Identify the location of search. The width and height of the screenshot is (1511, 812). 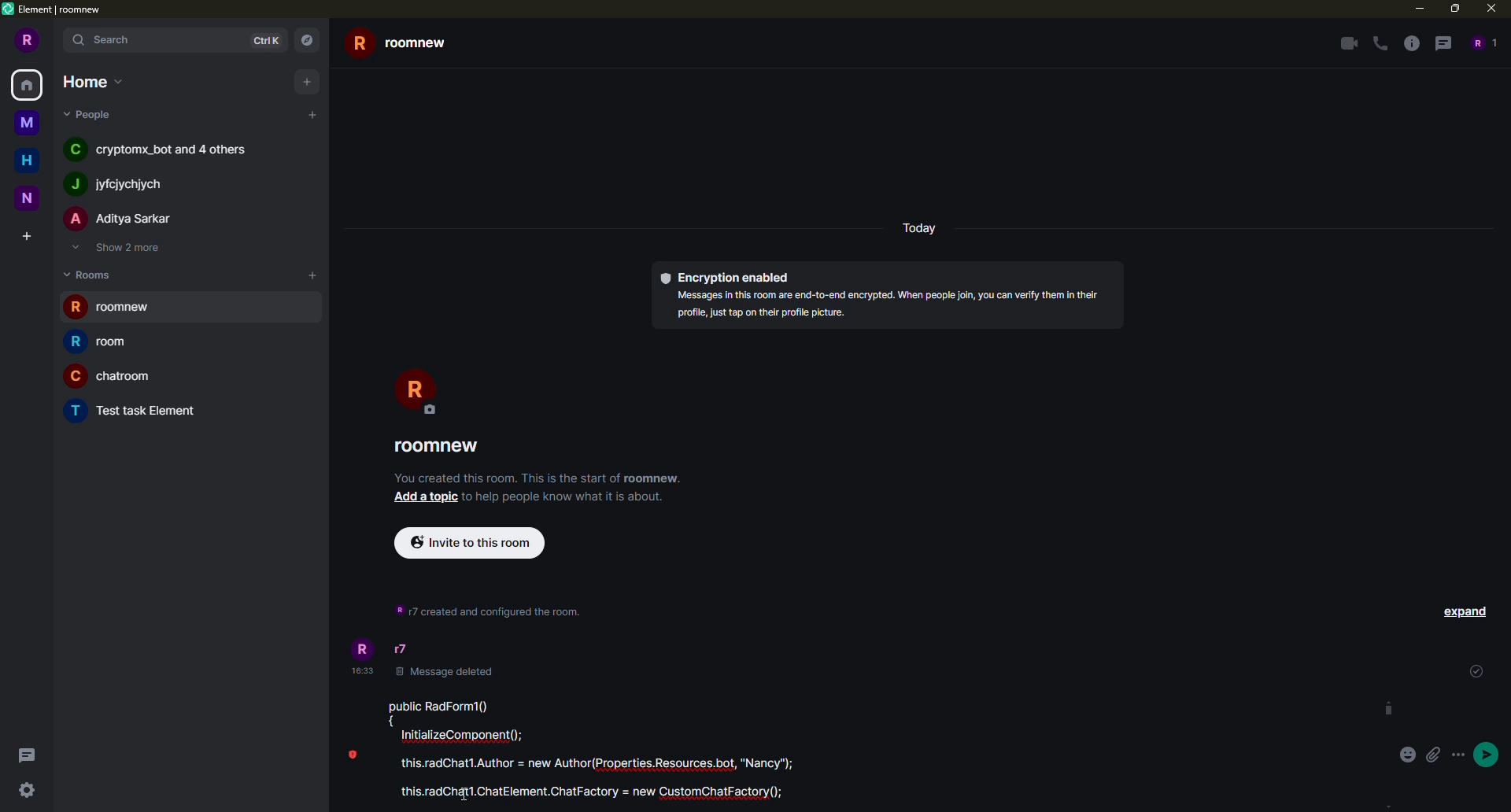
(114, 42).